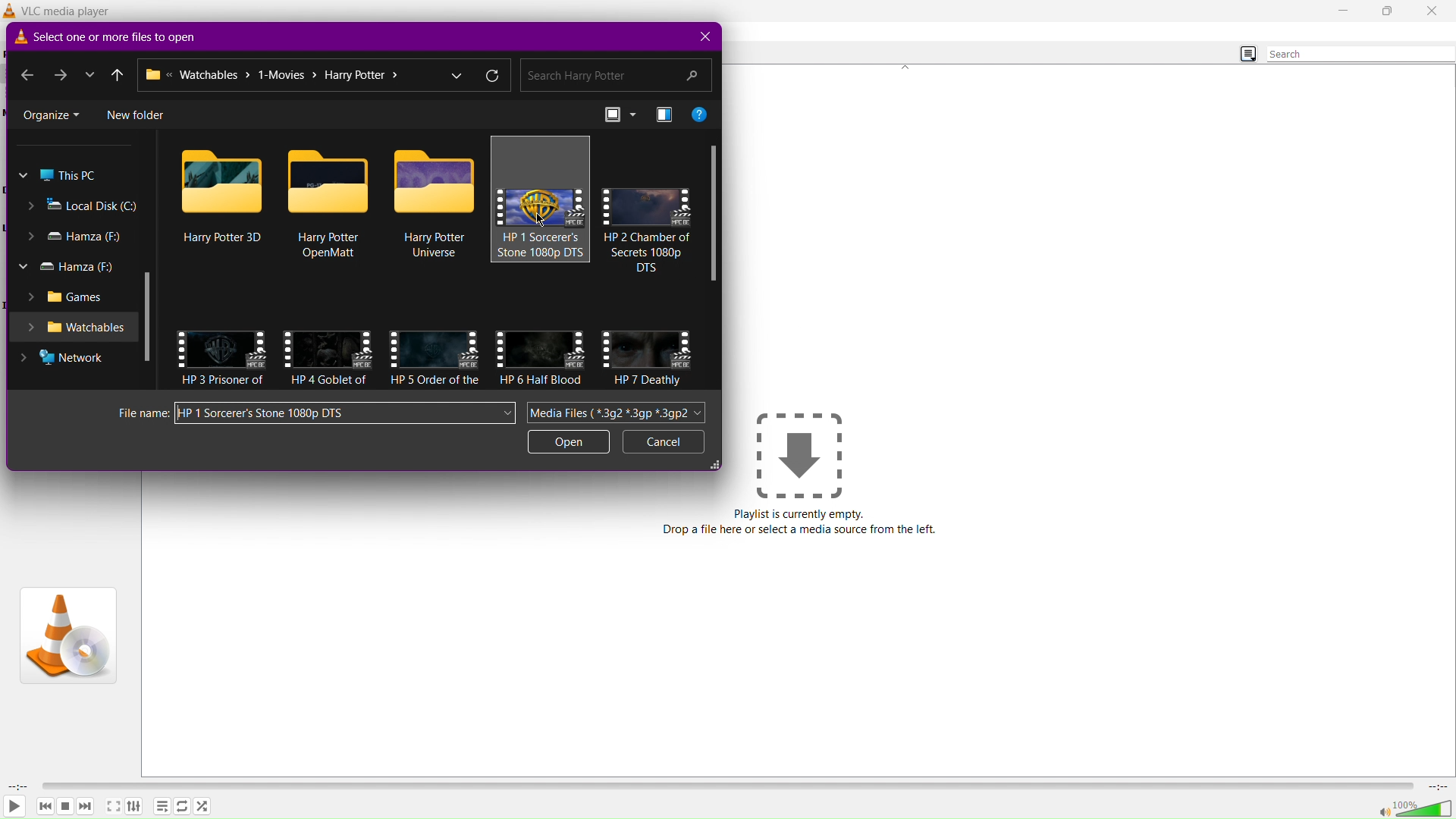 Image resolution: width=1456 pixels, height=819 pixels. I want to click on Cancel, so click(664, 443).